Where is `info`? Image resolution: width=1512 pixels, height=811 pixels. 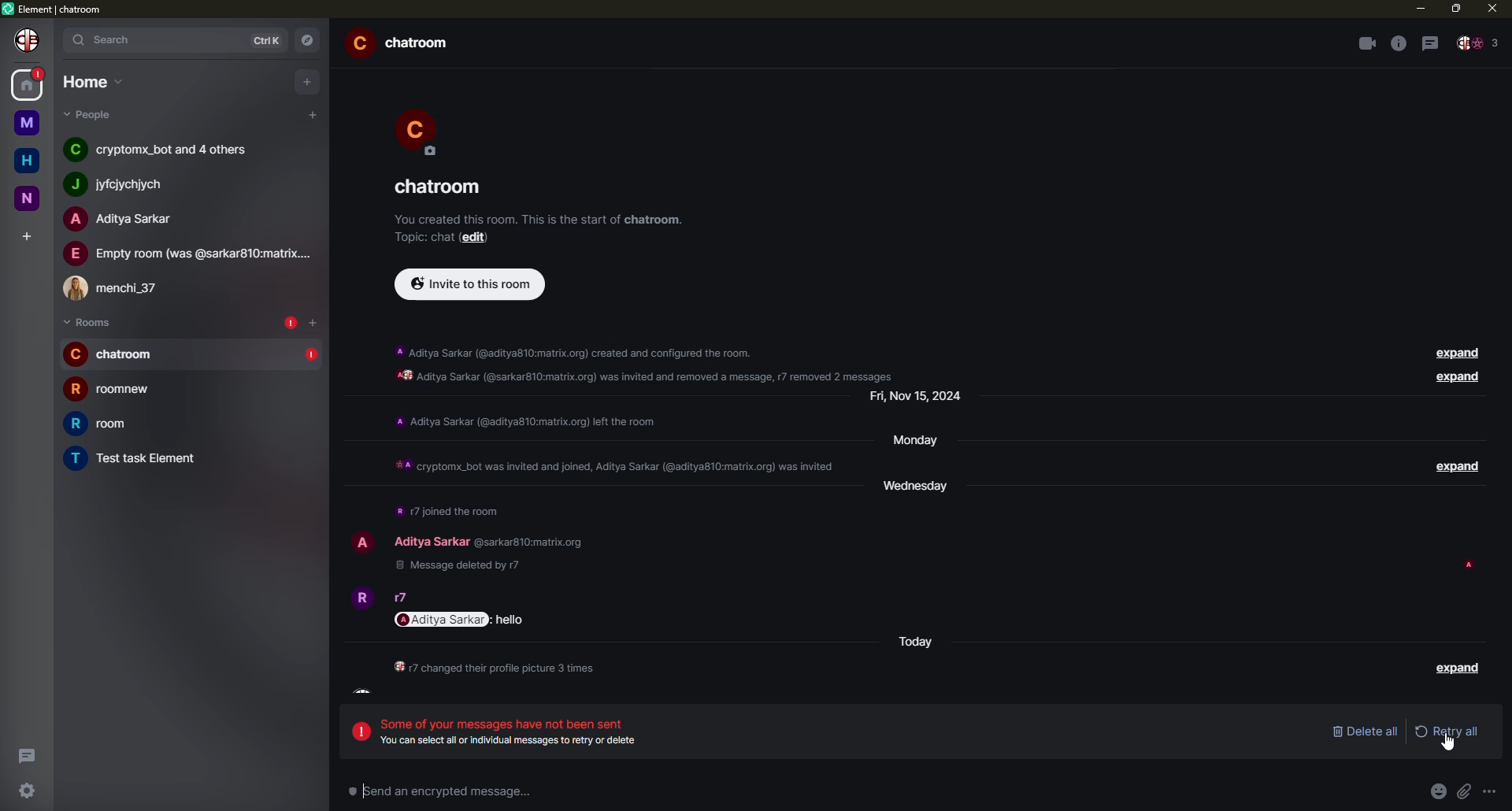
info is located at coordinates (530, 422).